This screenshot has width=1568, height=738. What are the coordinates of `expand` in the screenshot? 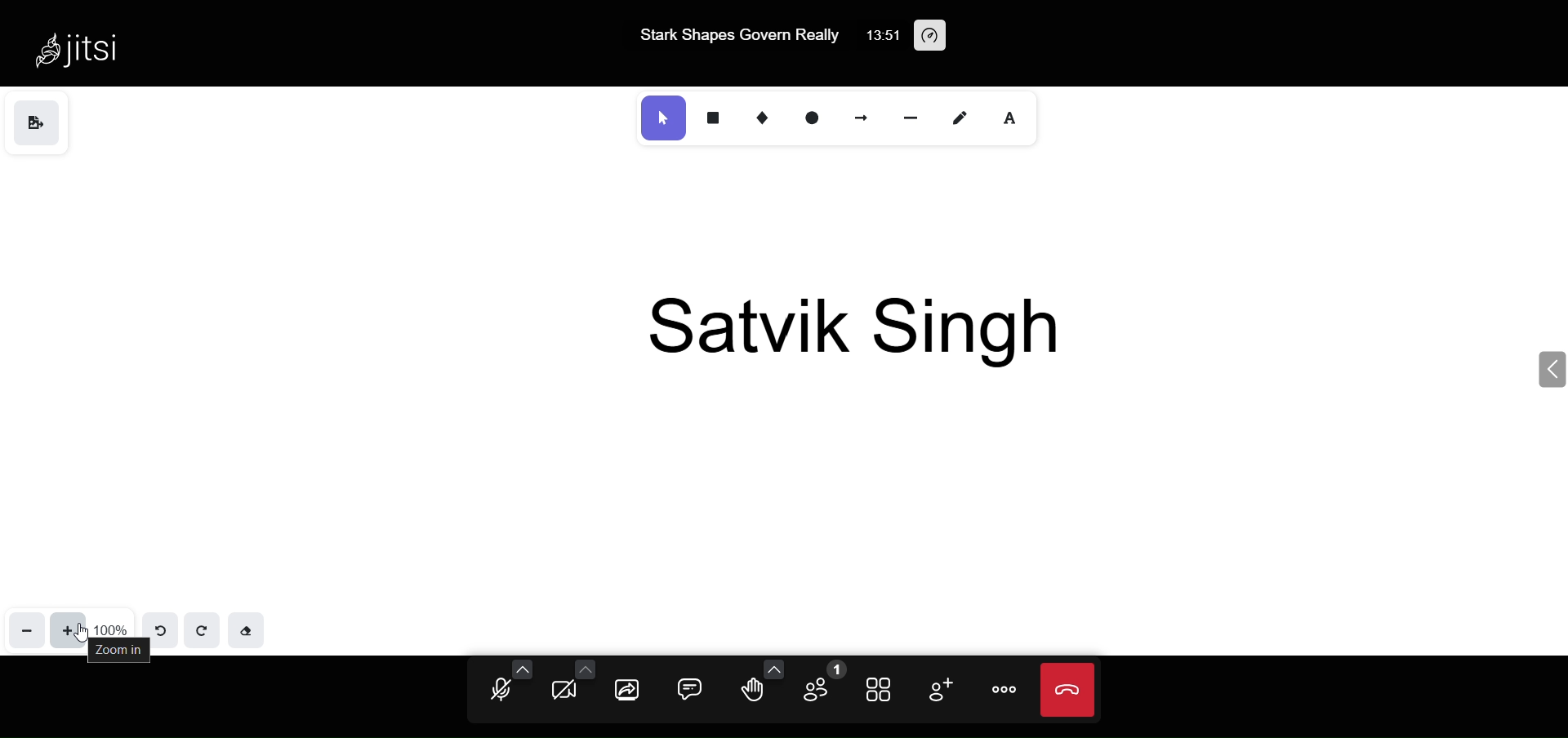 It's located at (1545, 369).